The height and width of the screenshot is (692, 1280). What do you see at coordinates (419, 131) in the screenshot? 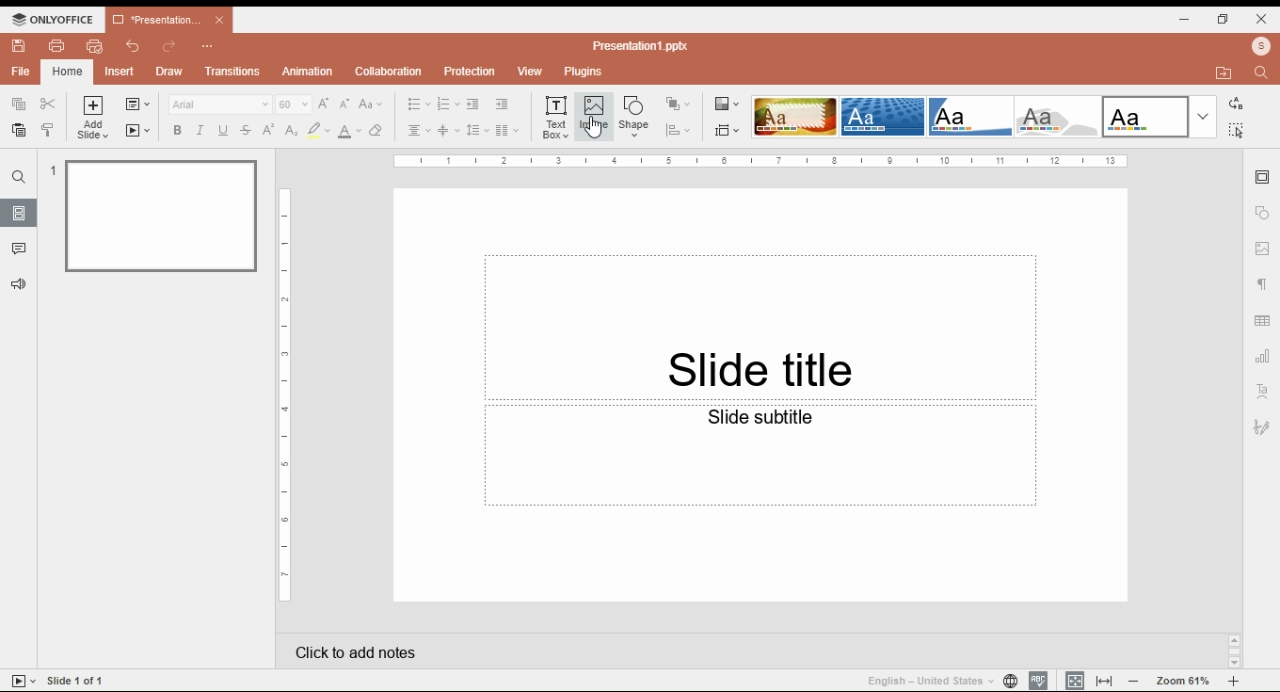
I see `horizontal alignment` at bounding box center [419, 131].